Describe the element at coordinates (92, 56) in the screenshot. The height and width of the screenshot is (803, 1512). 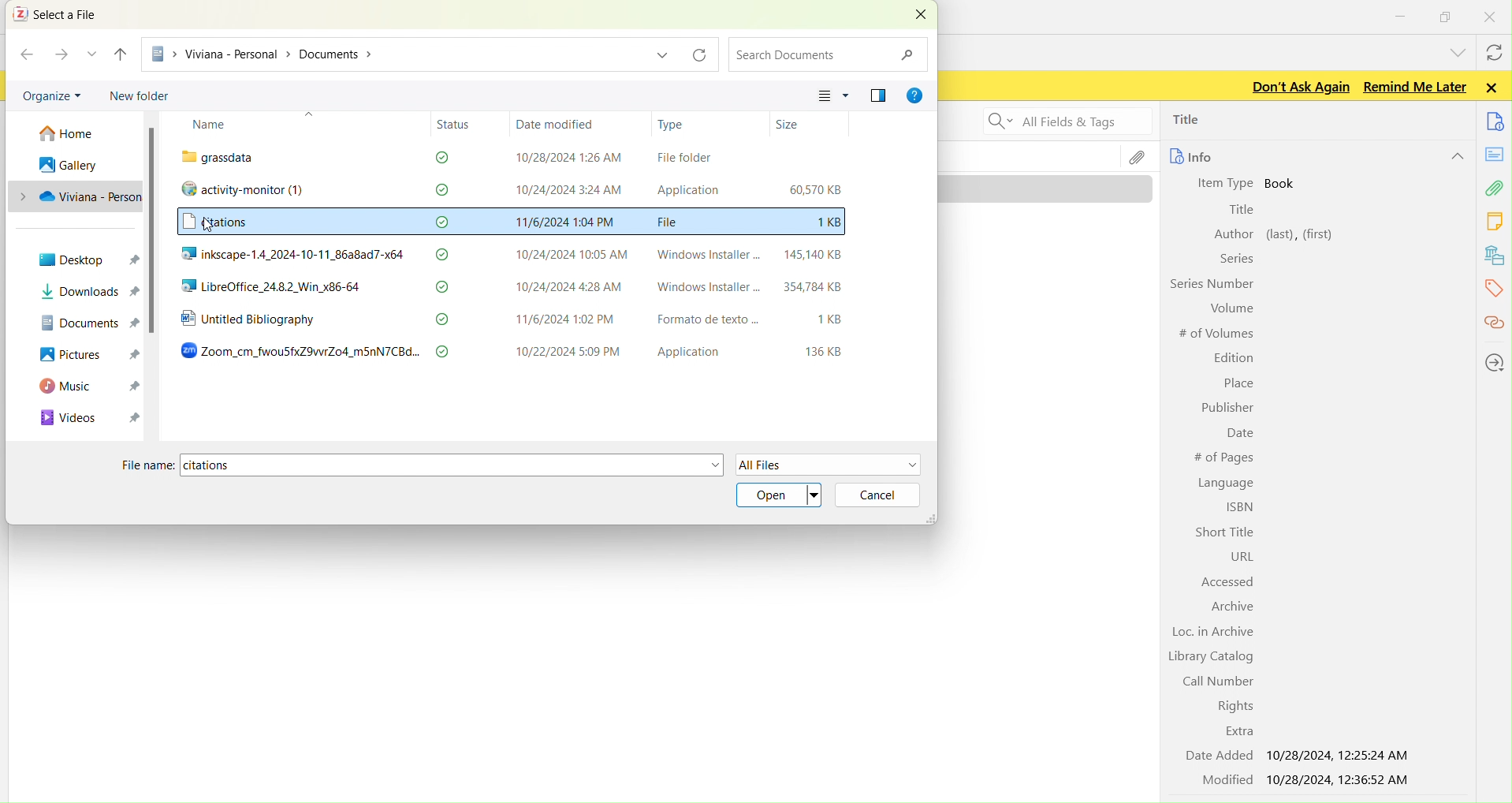
I see `RECENT LOCATION` at that location.